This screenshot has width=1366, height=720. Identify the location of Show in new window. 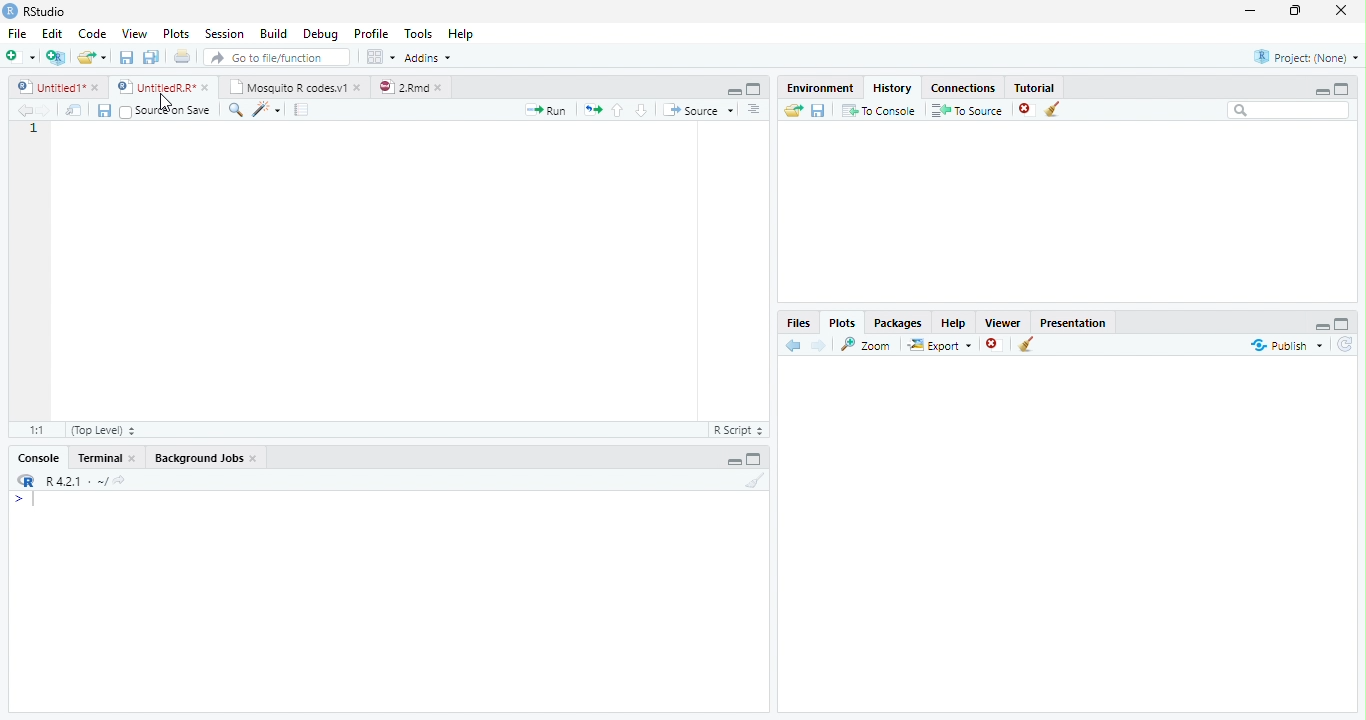
(76, 110).